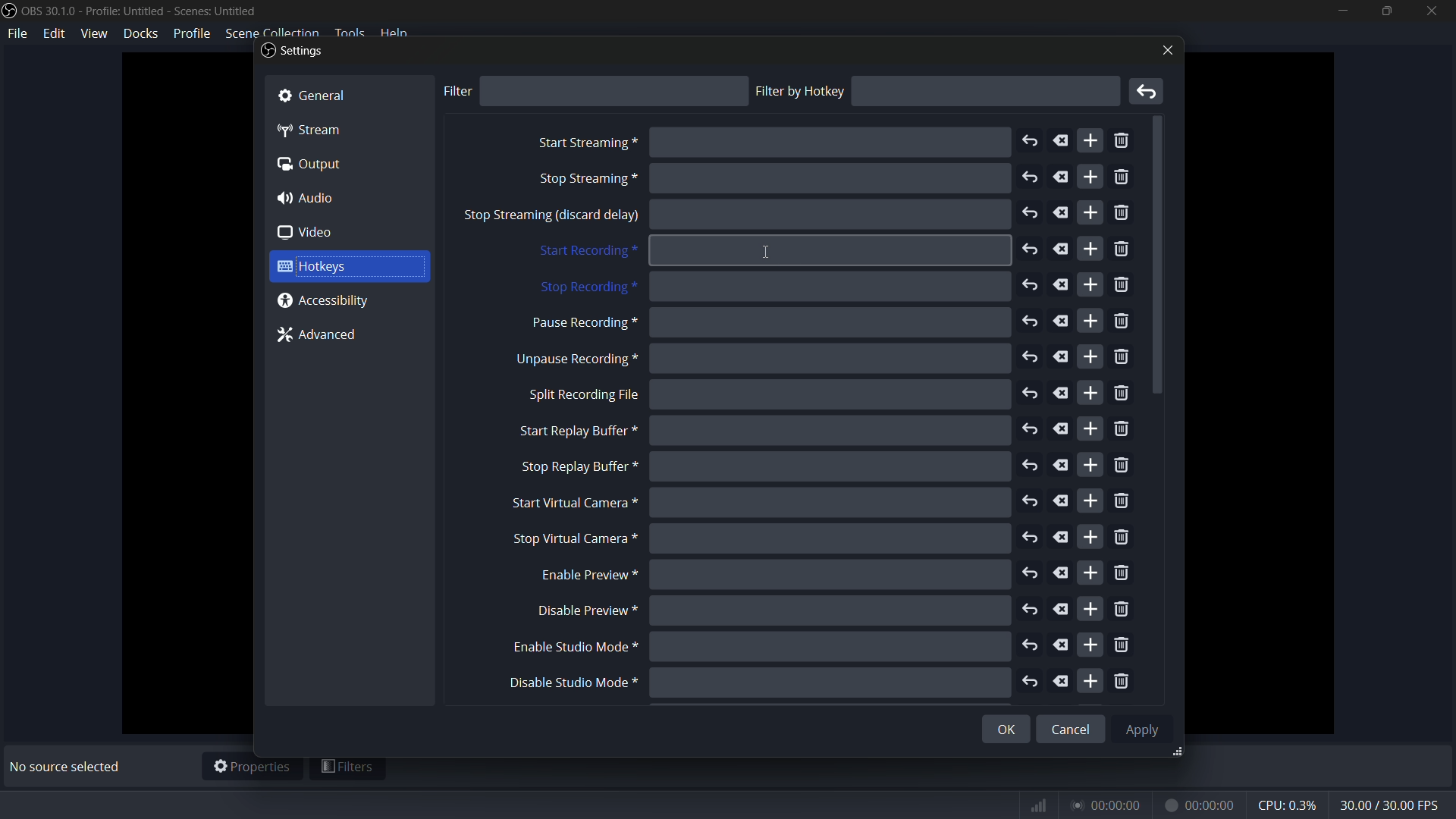  What do you see at coordinates (1090, 213) in the screenshot?
I see `add more` at bounding box center [1090, 213].